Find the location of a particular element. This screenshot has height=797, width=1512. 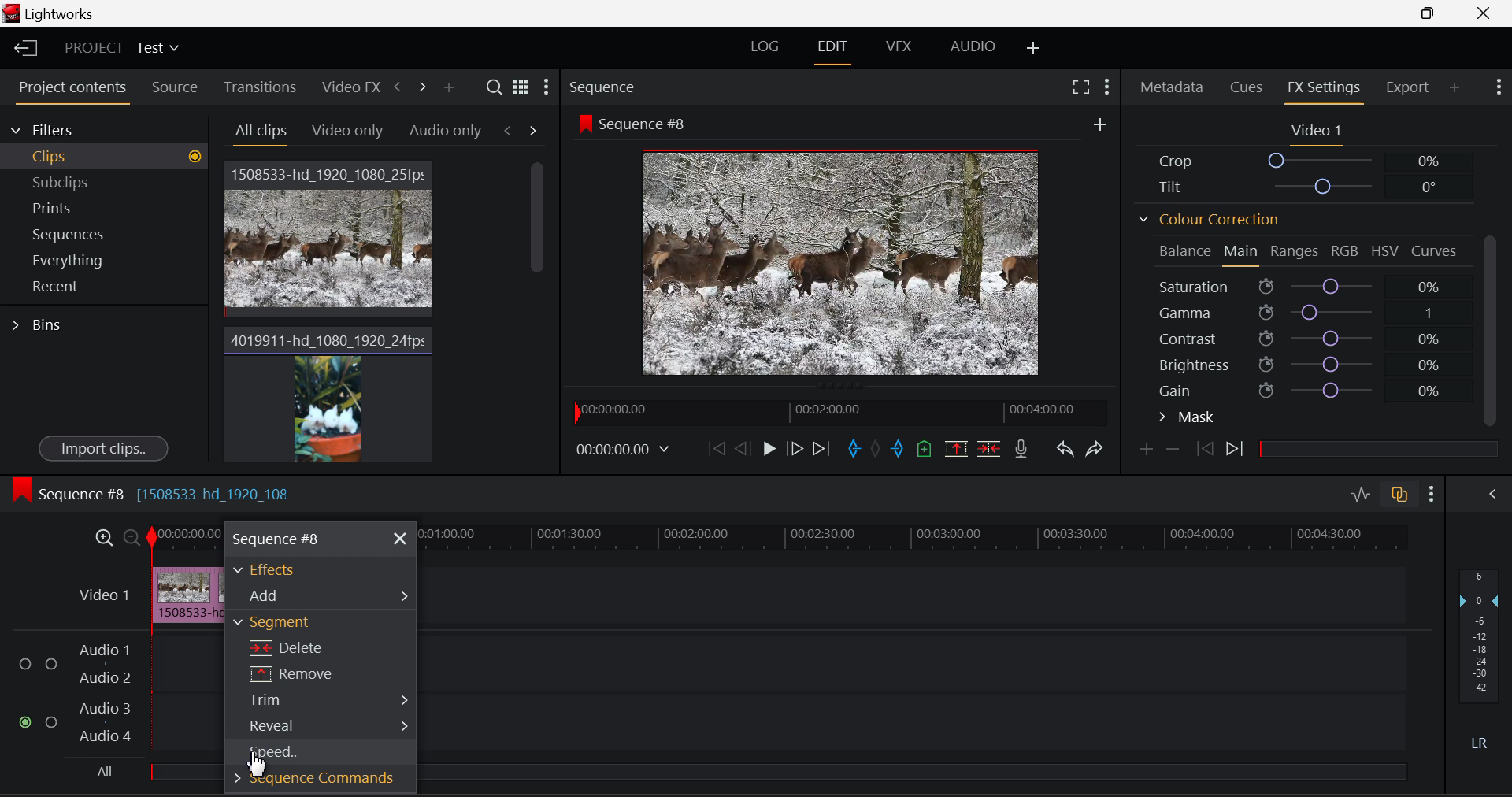

Maximize is located at coordinates (104, 539).